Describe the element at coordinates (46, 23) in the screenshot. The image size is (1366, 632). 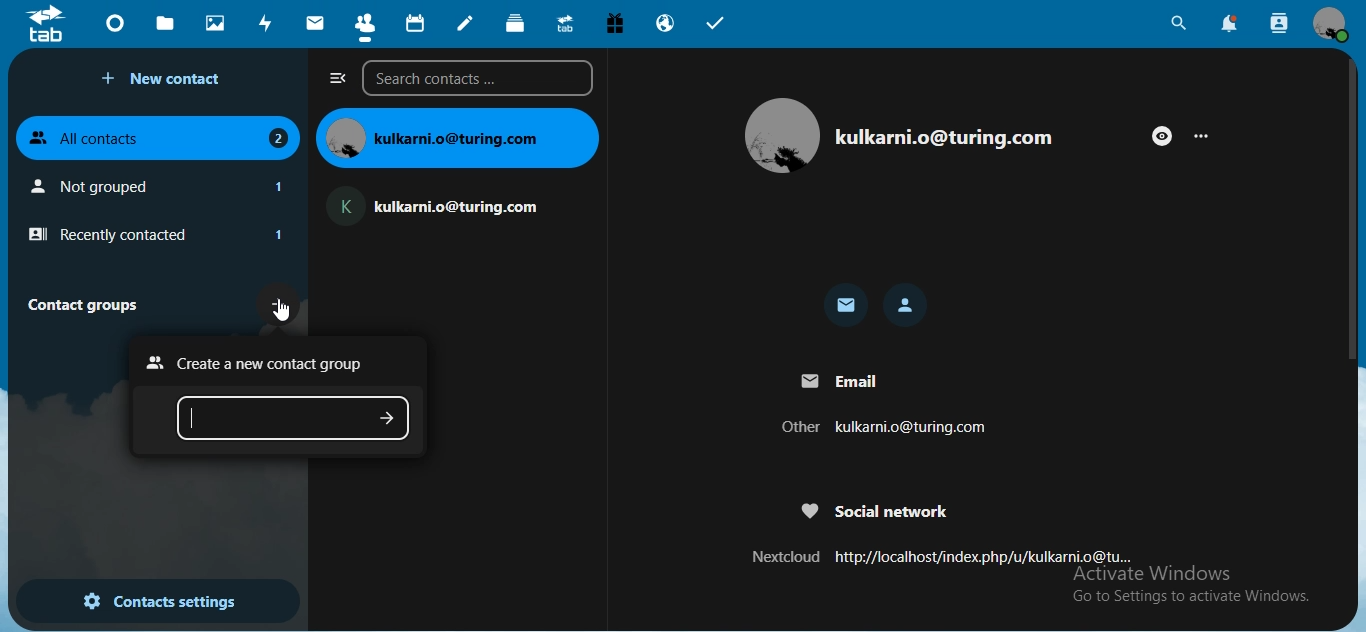
I see `icon` at that location.